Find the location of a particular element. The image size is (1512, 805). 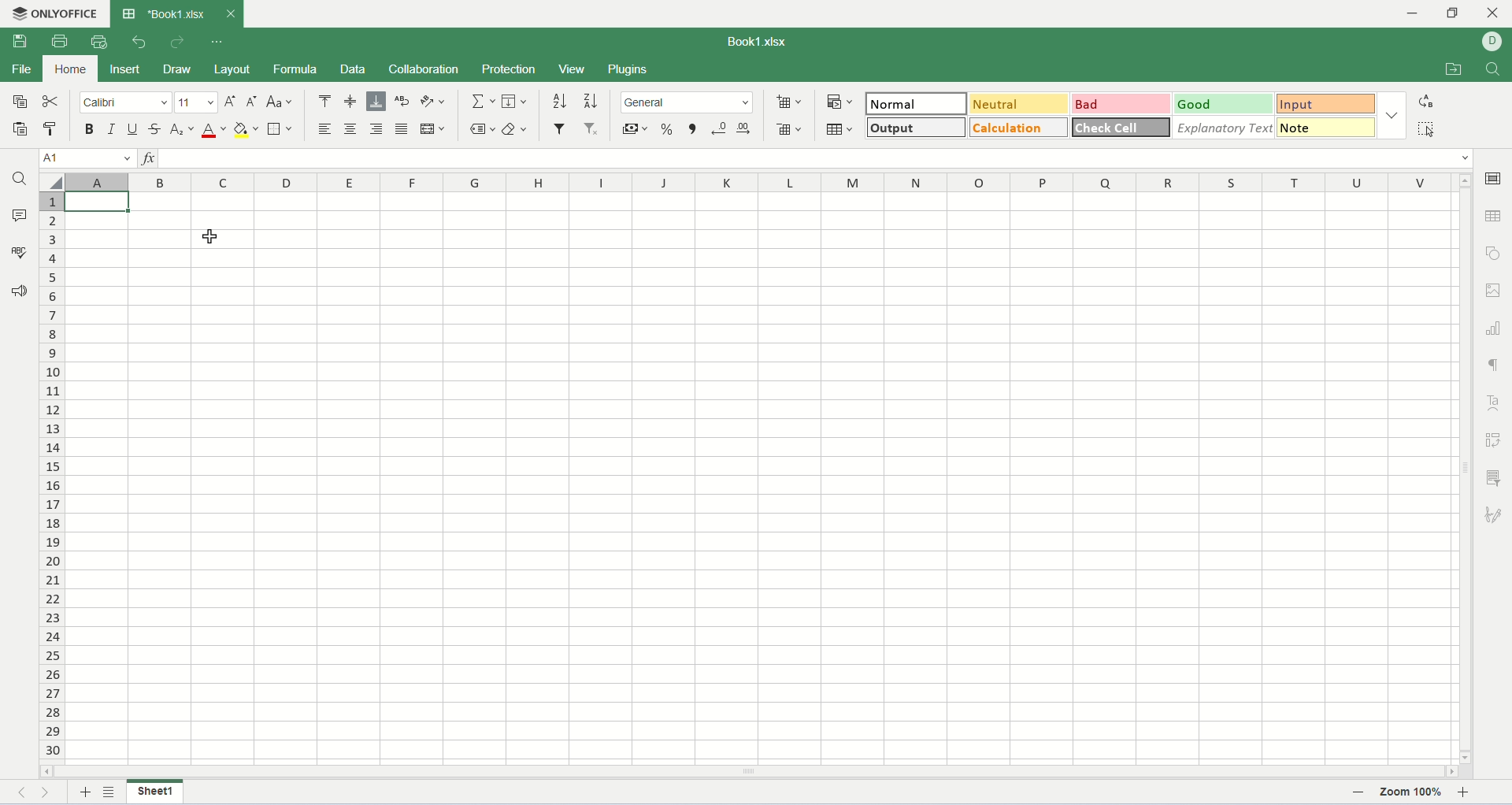

select all is located at coordinates (50, 181).